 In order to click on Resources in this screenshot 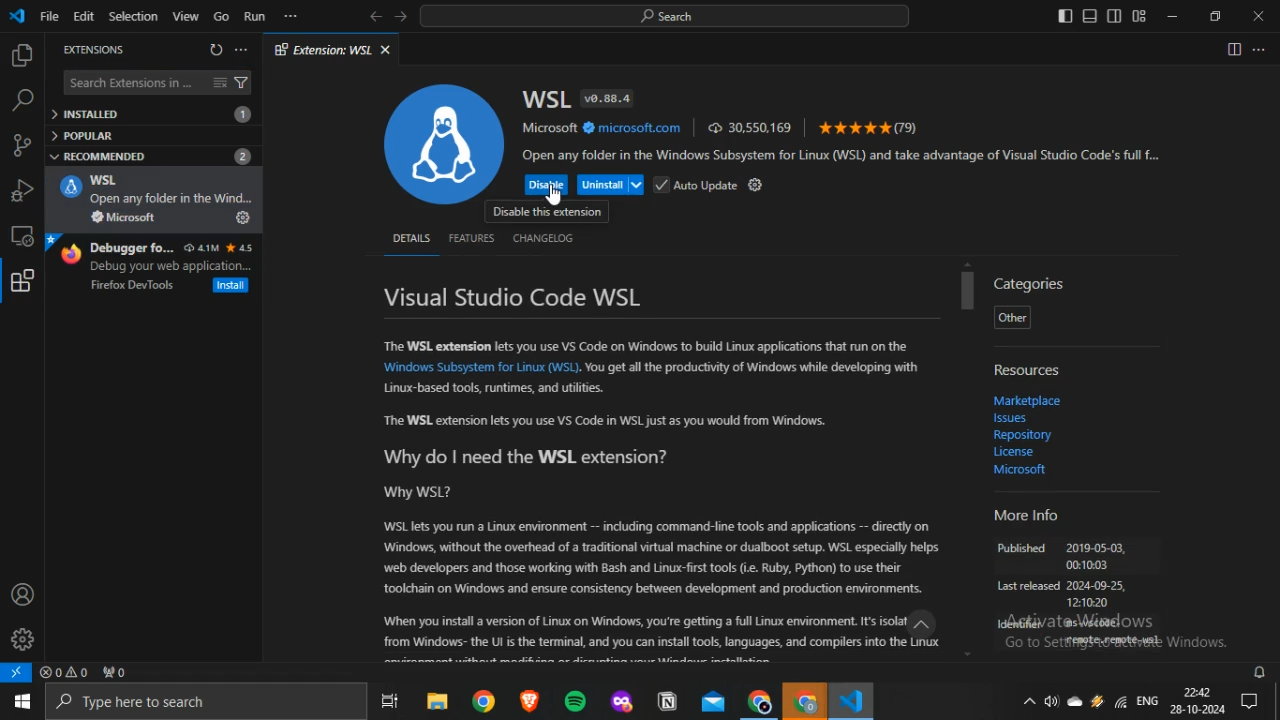, I will do `click(1029, 370)`.